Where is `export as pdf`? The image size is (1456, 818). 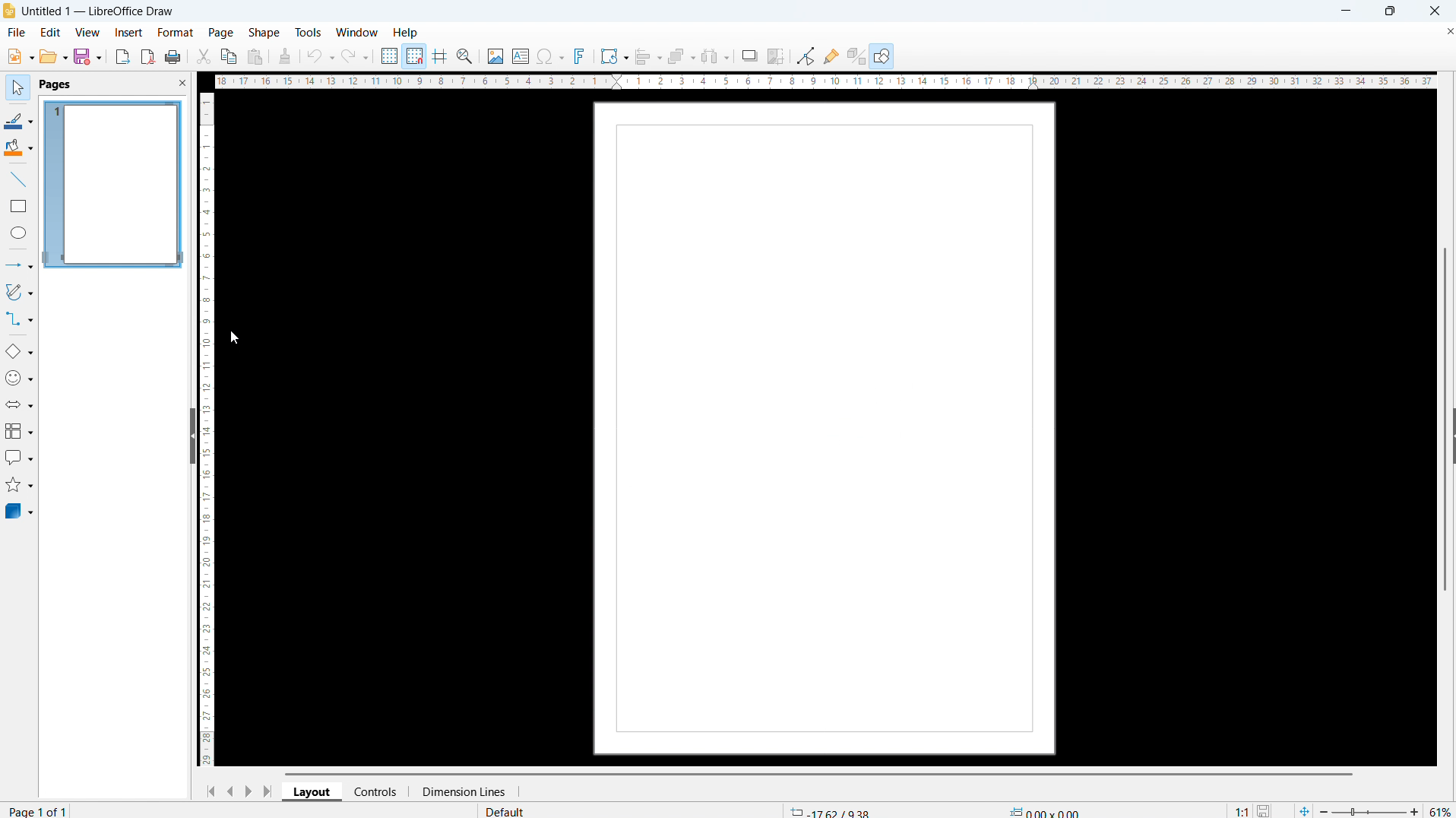 export as pdf is located at coordinates (148, 56).